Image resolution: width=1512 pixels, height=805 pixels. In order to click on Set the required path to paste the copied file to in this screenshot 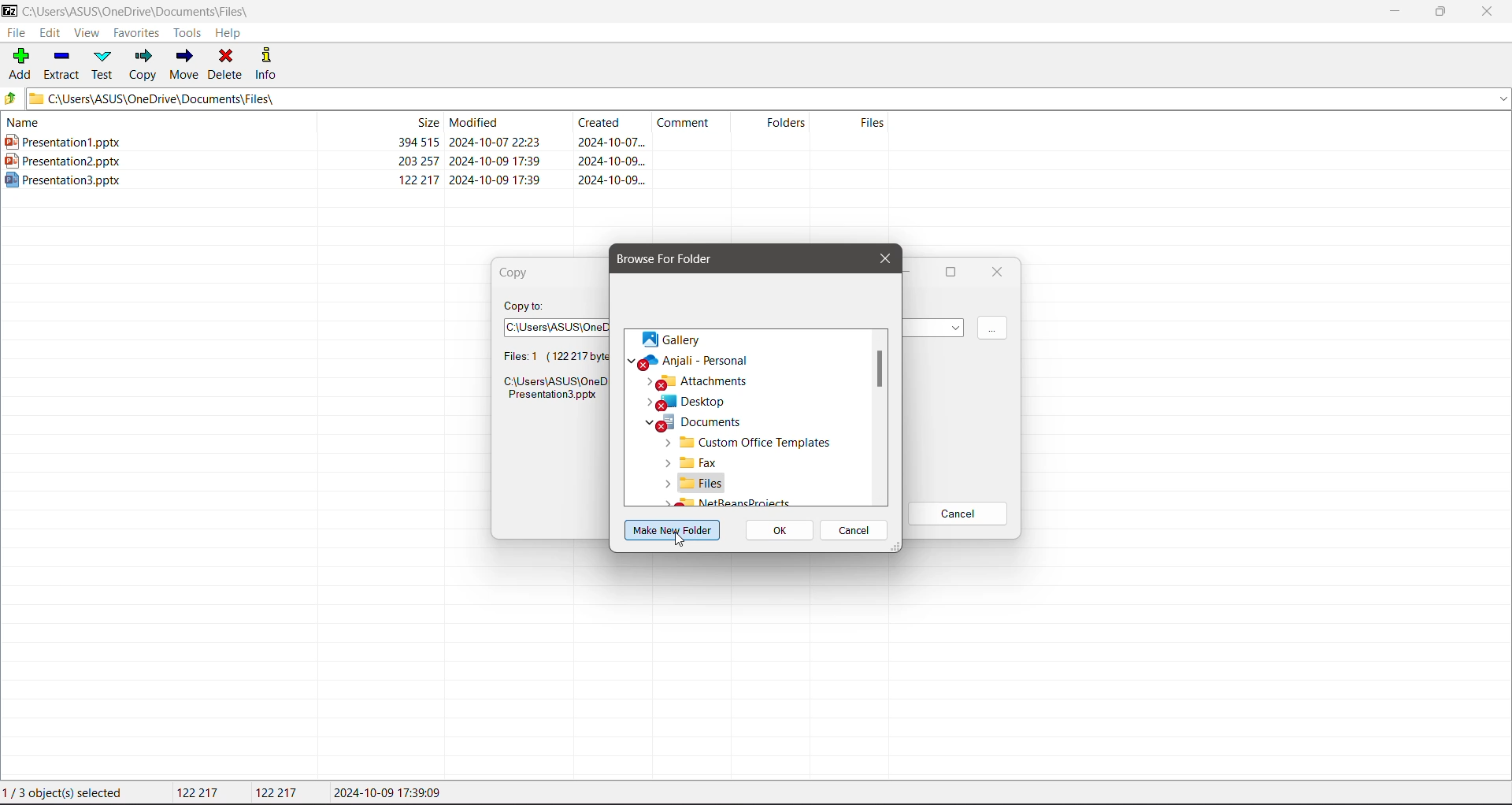, I will do `click(555, 327)`.